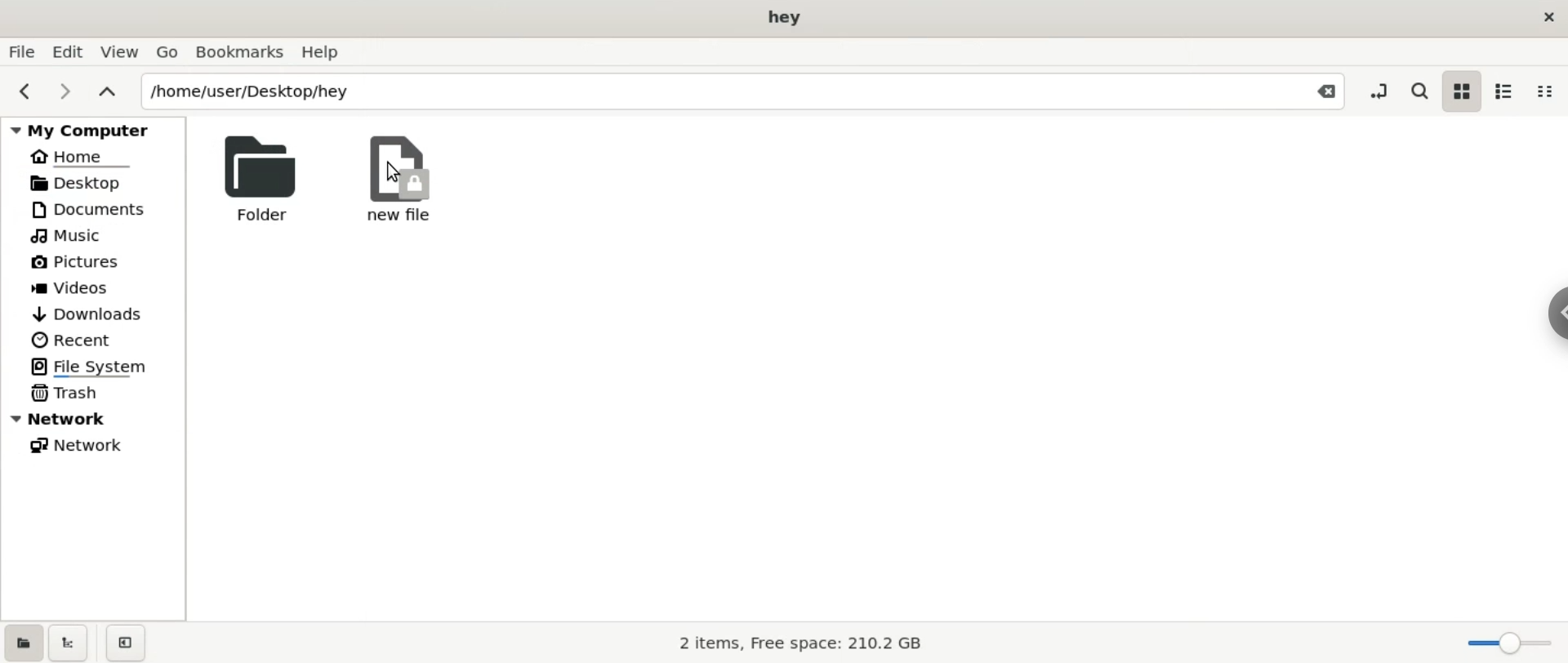 The image size is (1568, 663). What do you see at coordinates (1508, 640) in the screenshot?
I see `zoom` at bounding box center [1508, 640].